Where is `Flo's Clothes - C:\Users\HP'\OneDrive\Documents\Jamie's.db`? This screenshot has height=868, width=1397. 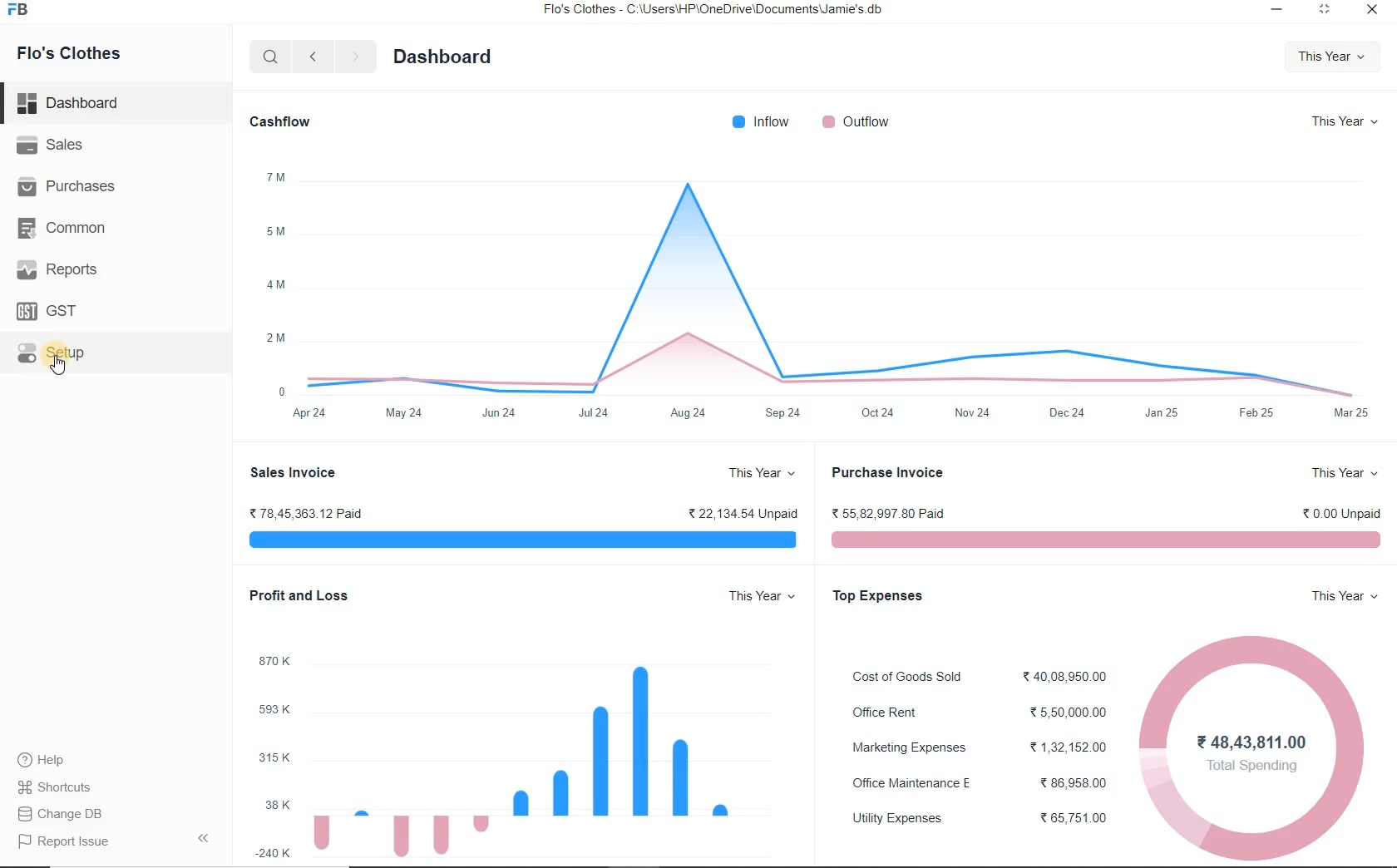 Flo's Clothes - C:\Users\HP'\OneDrive\Documents\Jamie's.db is located at coordinates (711, 9).